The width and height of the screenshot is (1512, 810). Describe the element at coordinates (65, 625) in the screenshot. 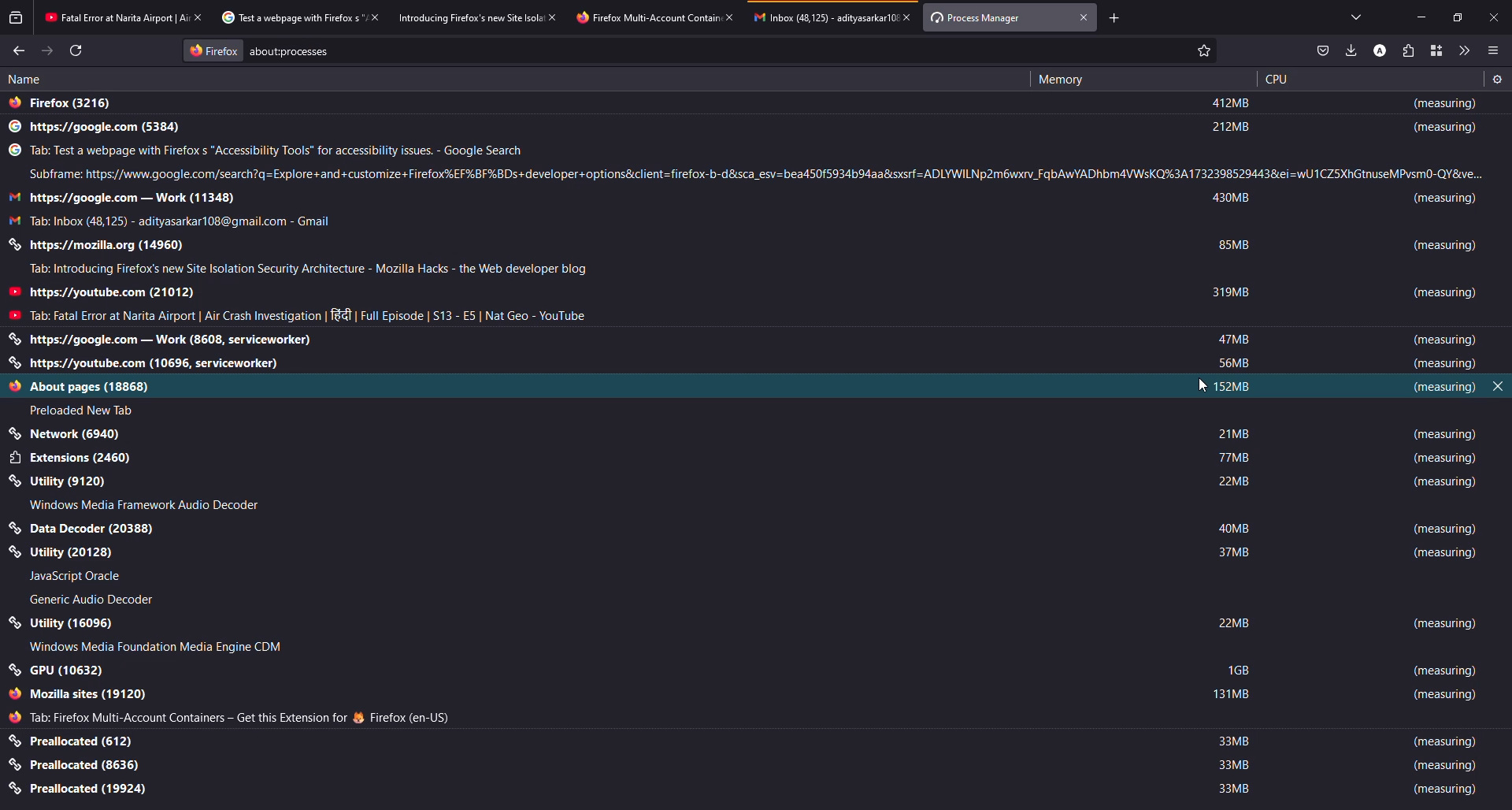

I see `utility (16096)` at that location.